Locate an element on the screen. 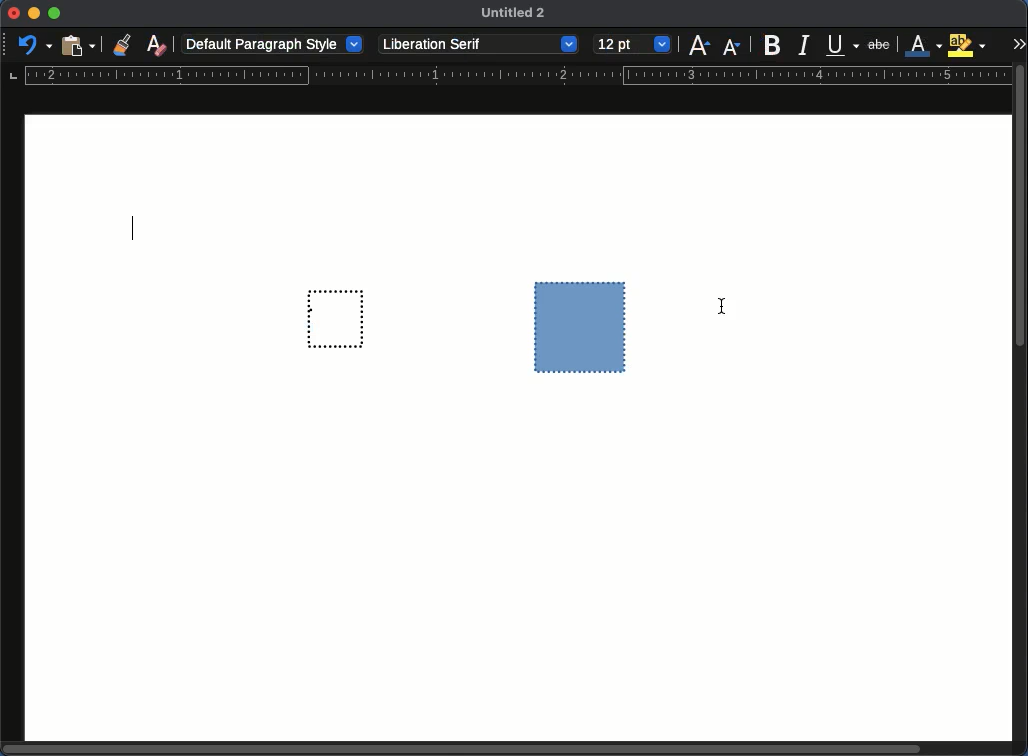 This screenshot has width=1028, height=756. strikethrough is located at coordinates (879, 44).